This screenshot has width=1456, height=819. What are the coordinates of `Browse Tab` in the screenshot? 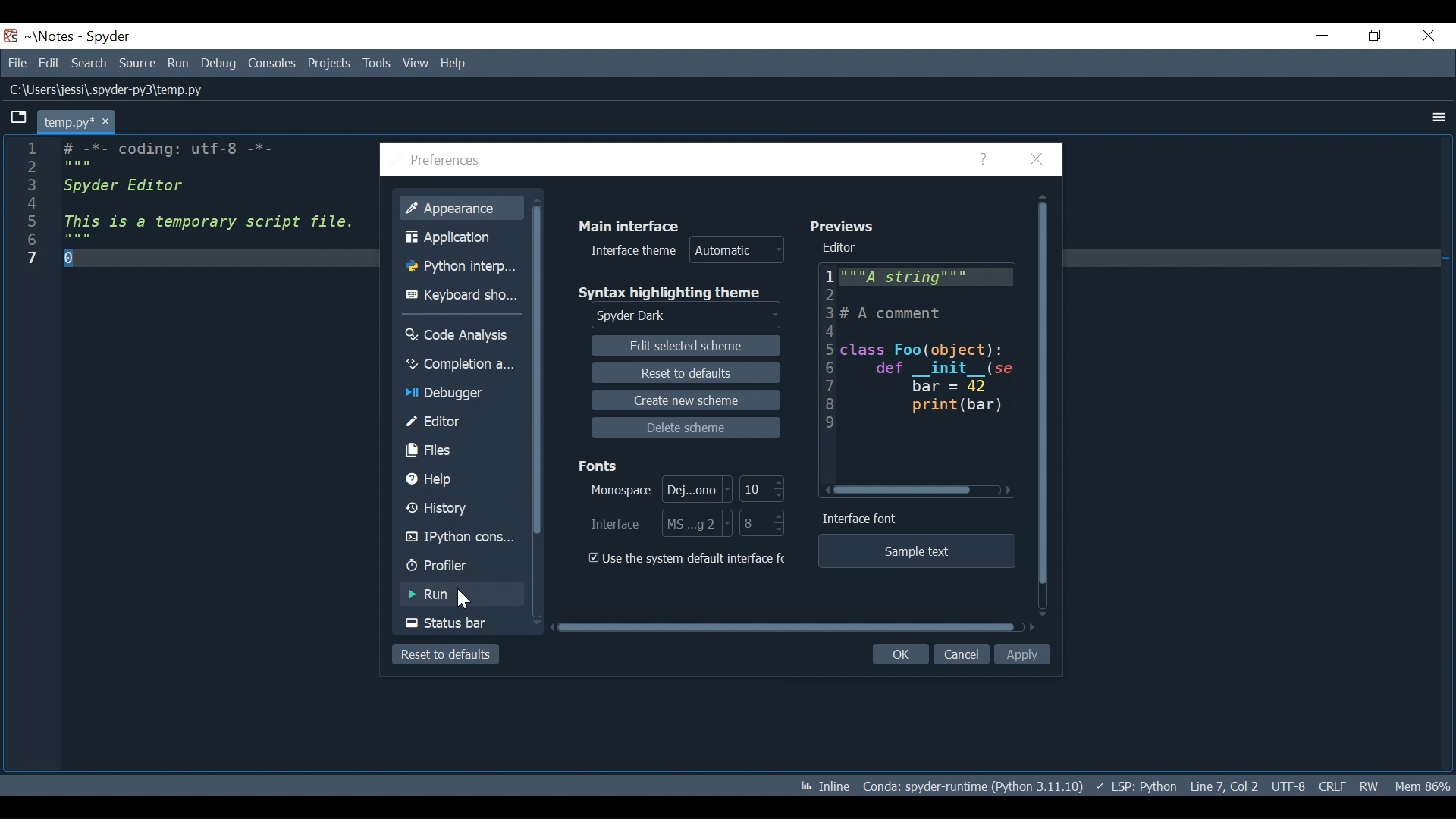 It's located at (17, 118).